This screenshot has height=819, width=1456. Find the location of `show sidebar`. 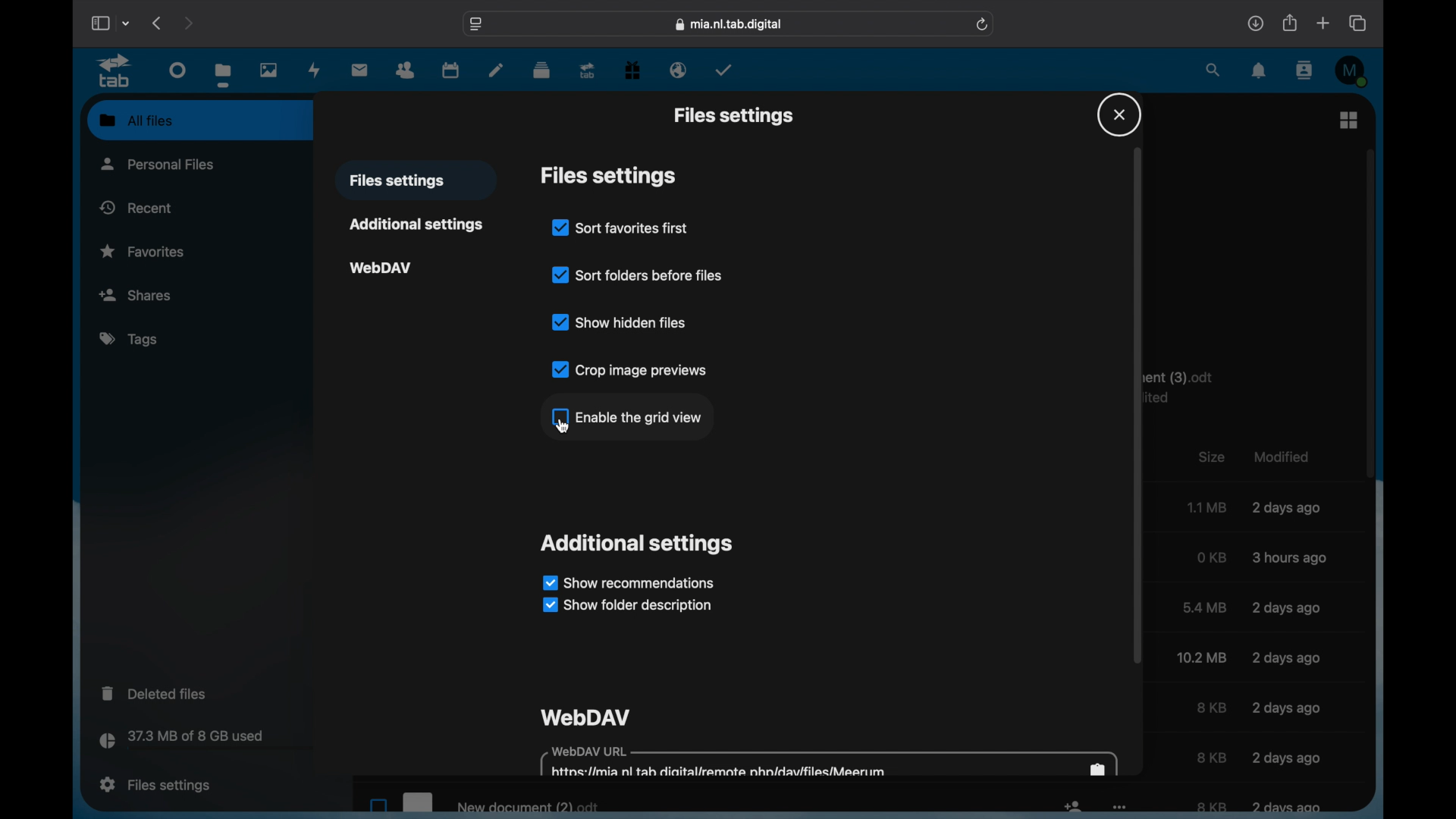

show sidebar is located at coordinates (99, 23).